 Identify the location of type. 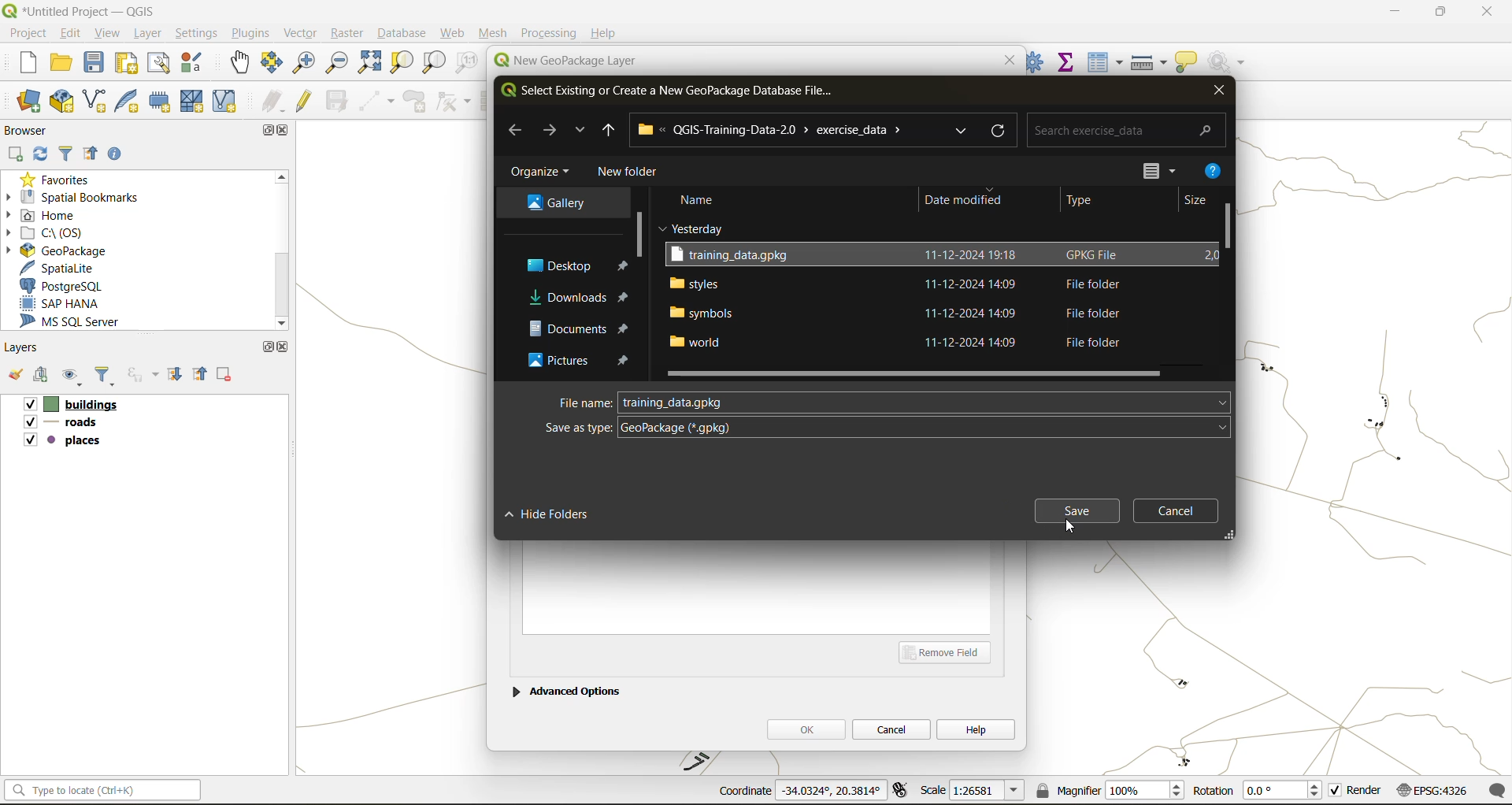
(1089, 202).